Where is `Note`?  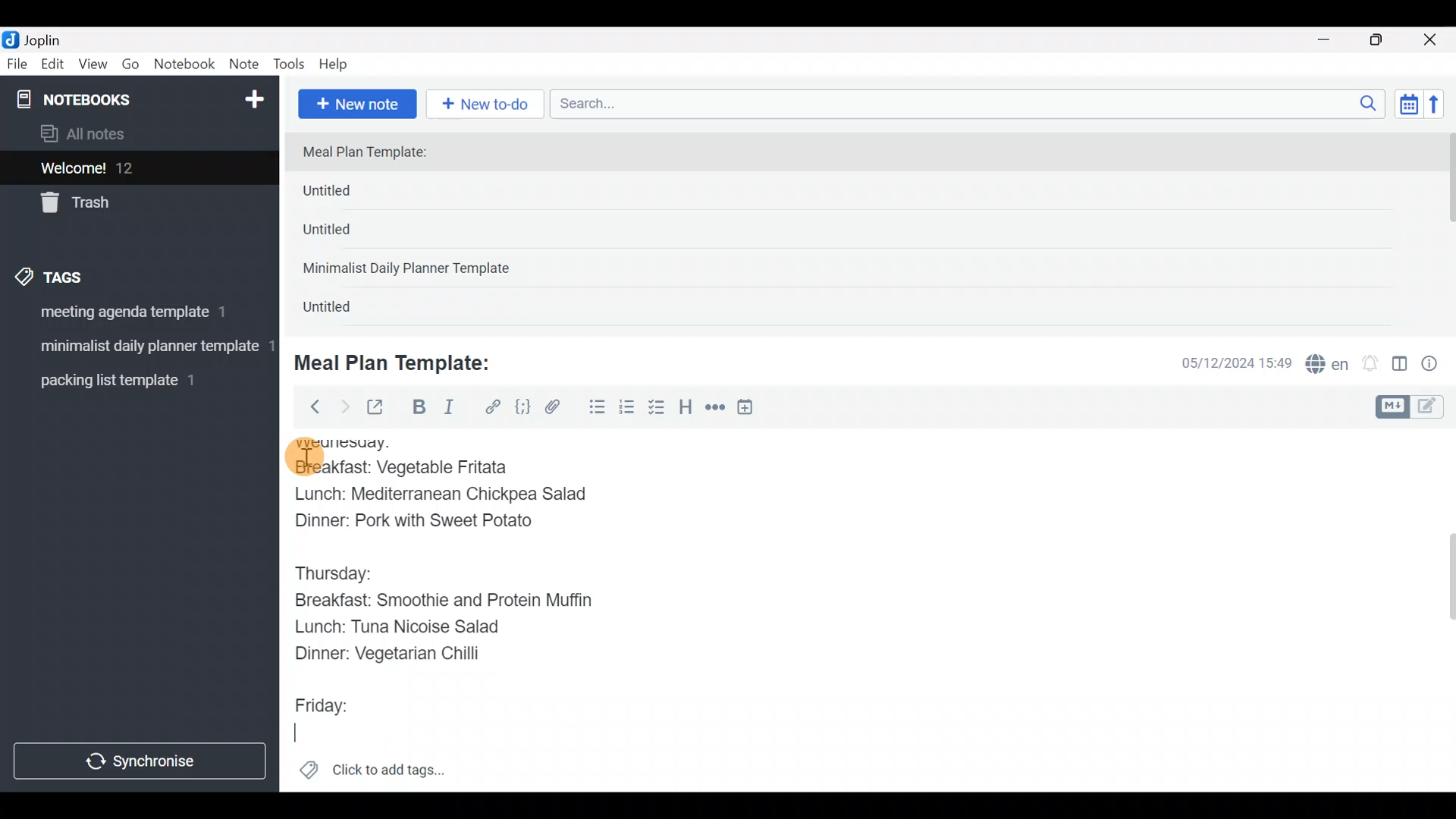
Note is located at coordinates (247, 65).